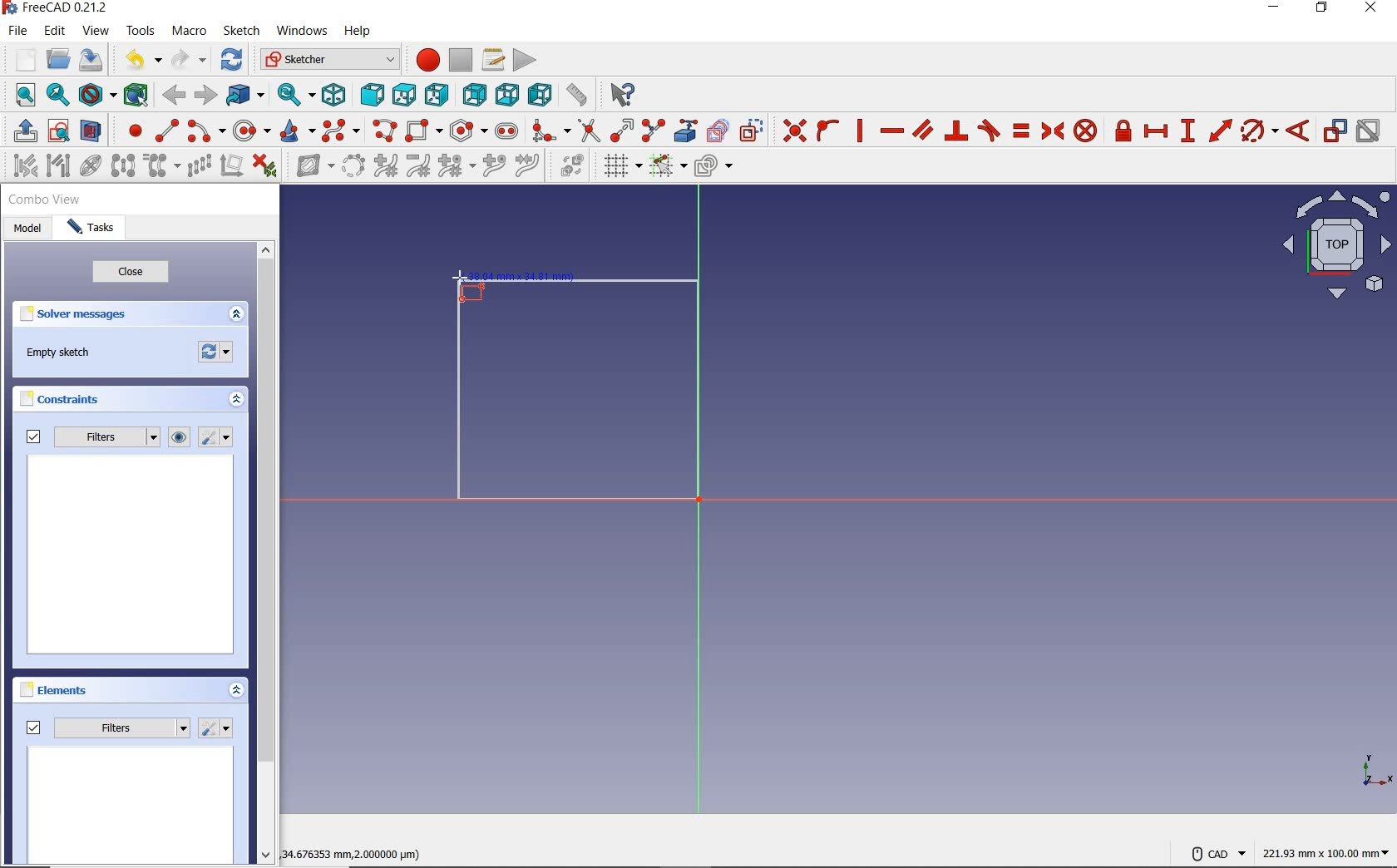 The image size is (1397, 868). I want to click on isometric, so click(337, 95).